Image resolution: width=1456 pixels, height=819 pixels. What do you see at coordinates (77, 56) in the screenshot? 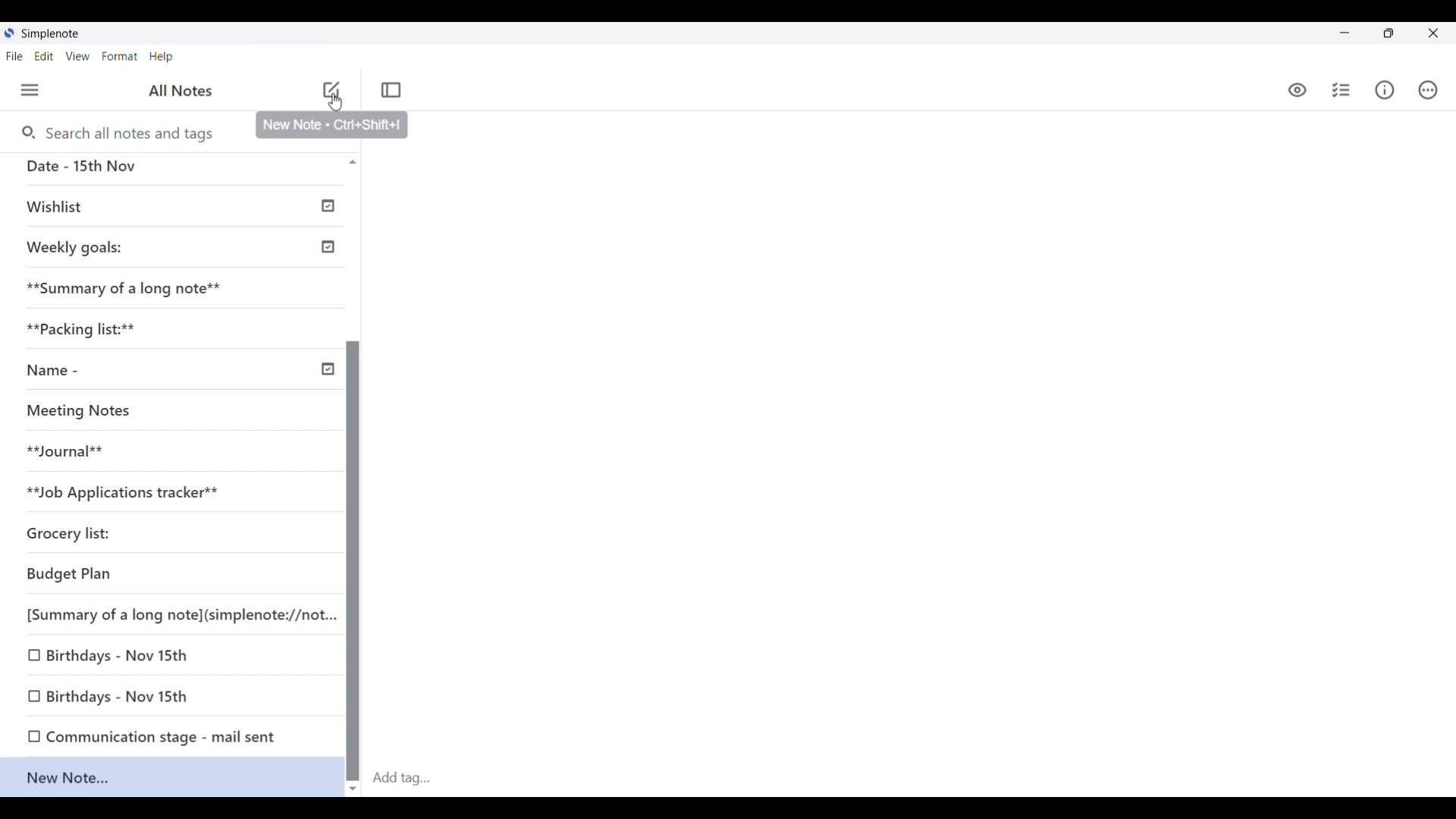
I see `View menu` at bounding box center [77, 56].